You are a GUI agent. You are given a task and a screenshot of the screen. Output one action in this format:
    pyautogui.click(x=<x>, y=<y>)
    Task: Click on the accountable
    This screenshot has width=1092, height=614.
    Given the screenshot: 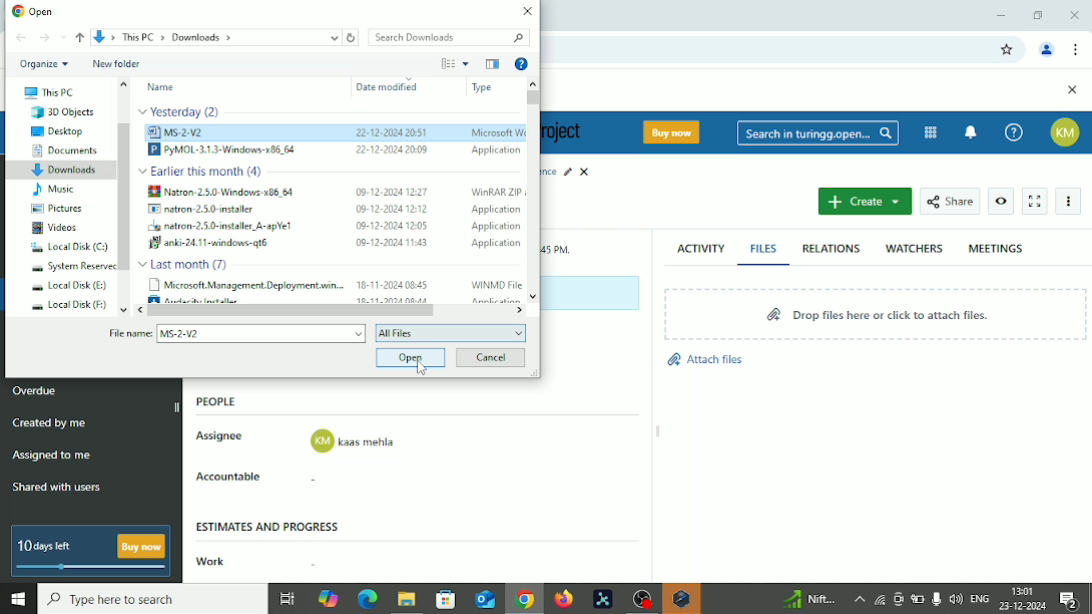 What is the action you would take?
    pyautogui.click(x=354, y=481)
    